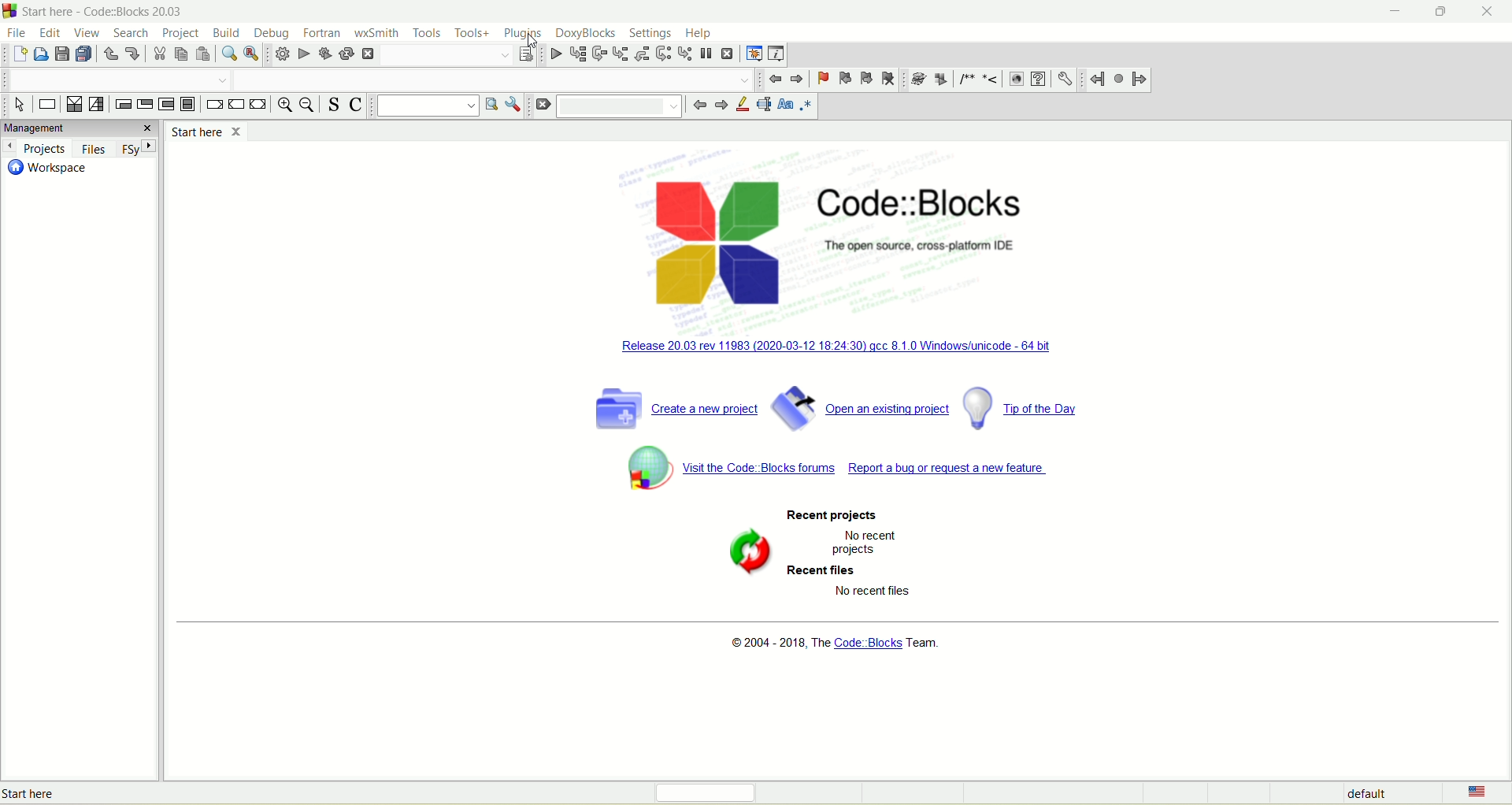  I want to click on text run, so click(422, 106).